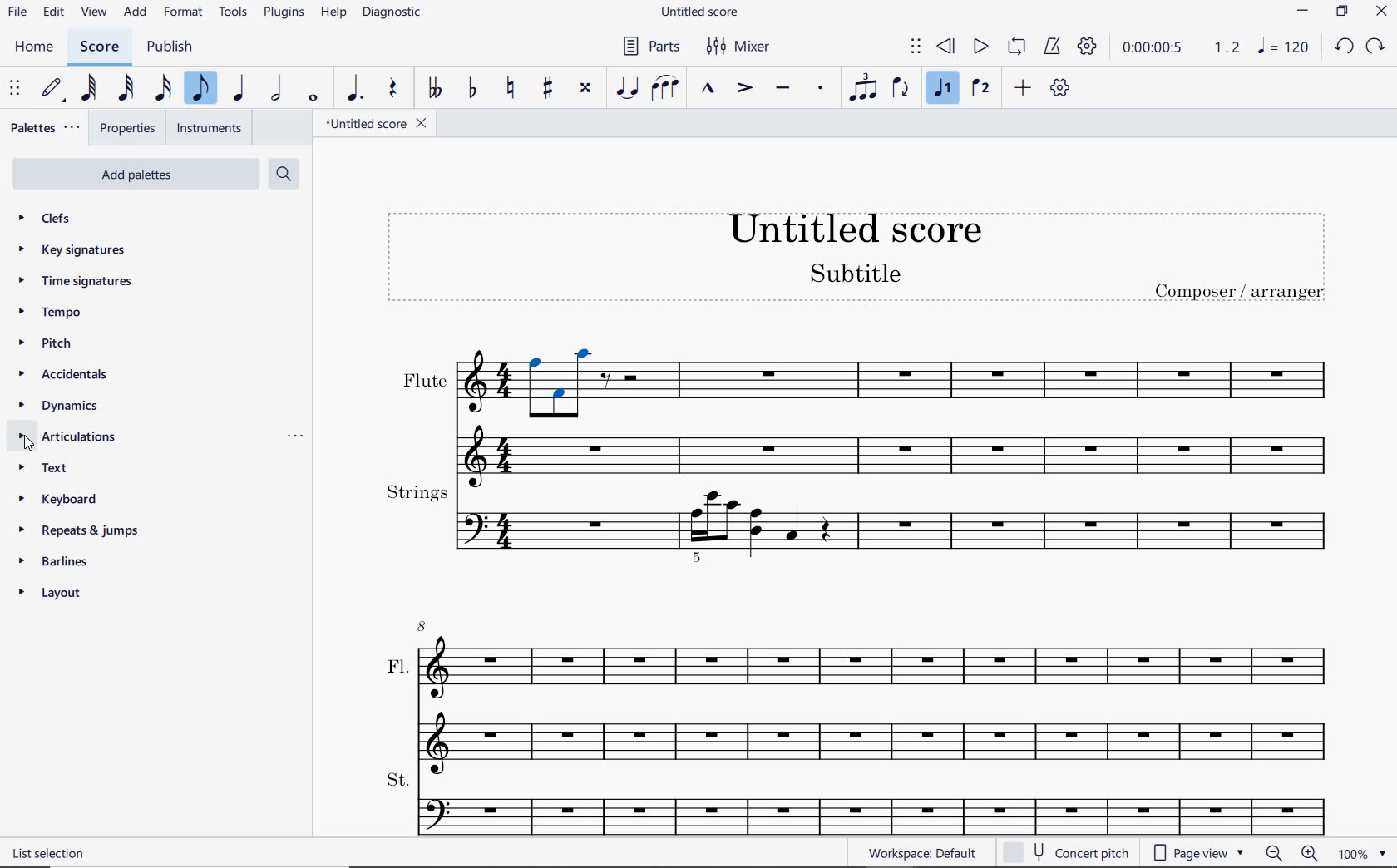 The height and width of the screenshot is (868, 1397). Describe the element at coordinates (856, 412) in the screenshot. I see `flute` at that location.